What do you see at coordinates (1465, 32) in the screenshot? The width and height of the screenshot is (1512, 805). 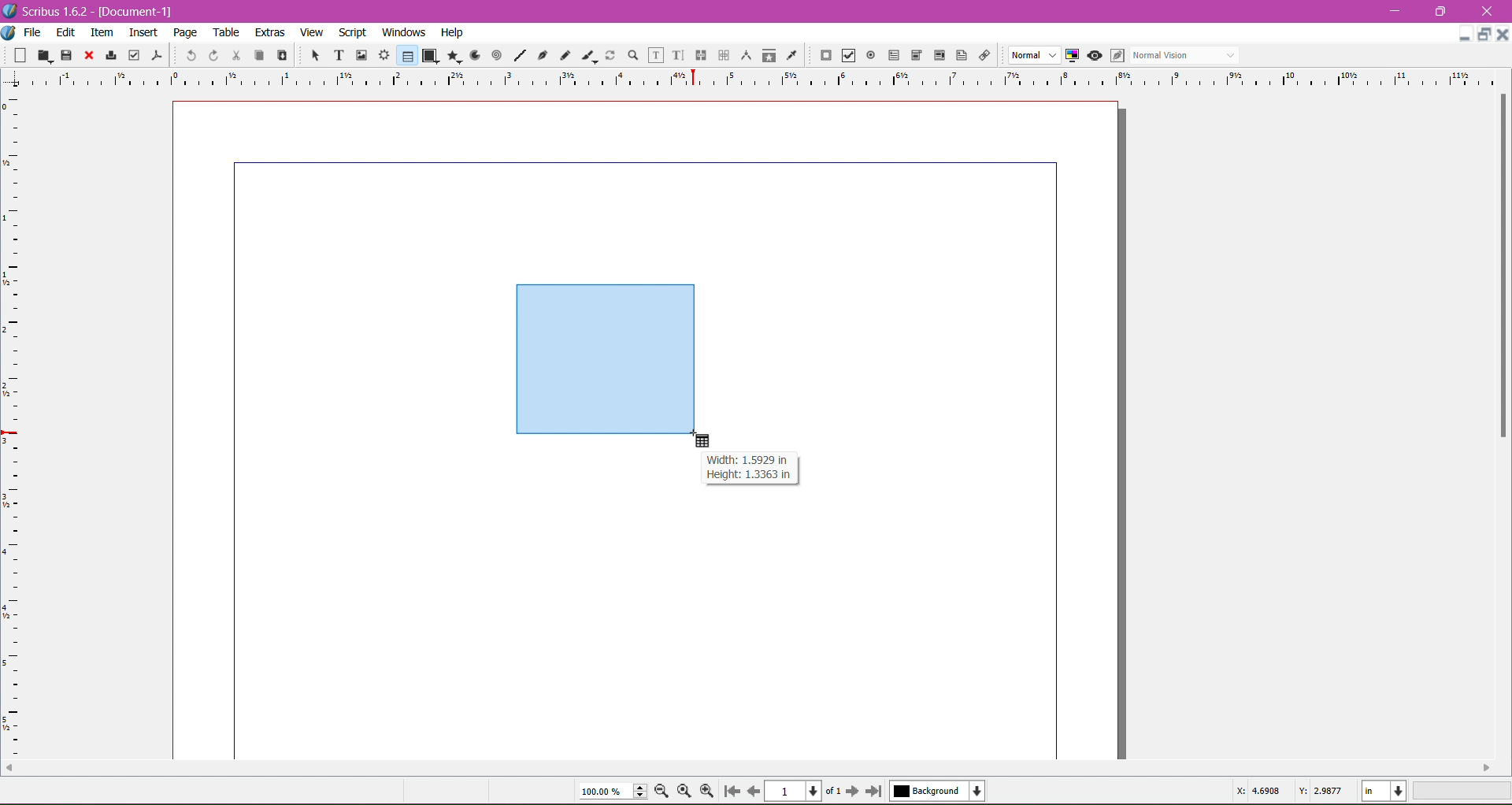 I see `Minimize` at bounding box center [1465, 32].